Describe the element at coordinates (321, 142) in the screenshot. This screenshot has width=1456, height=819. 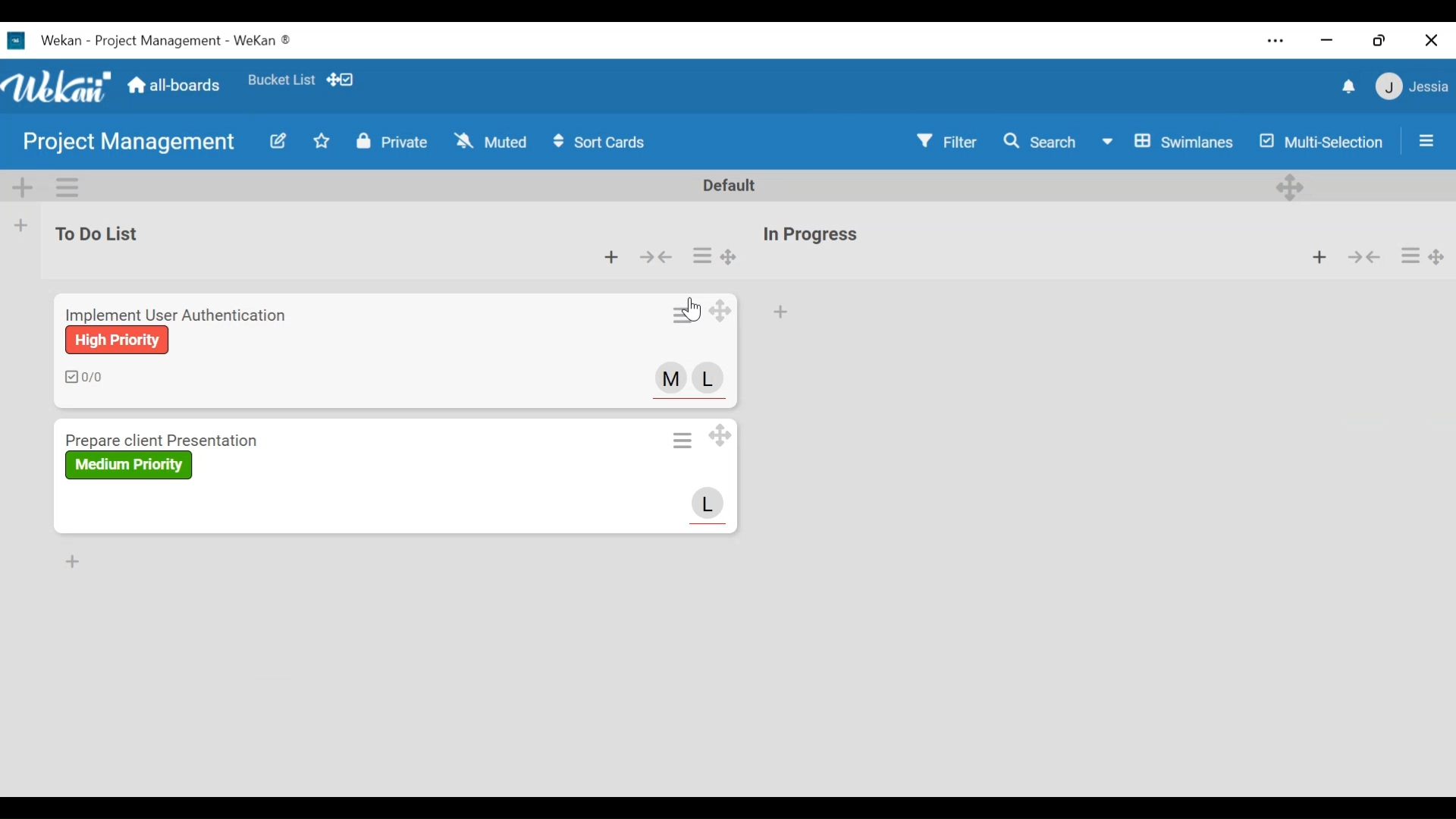
I see `Favorite` at that location.